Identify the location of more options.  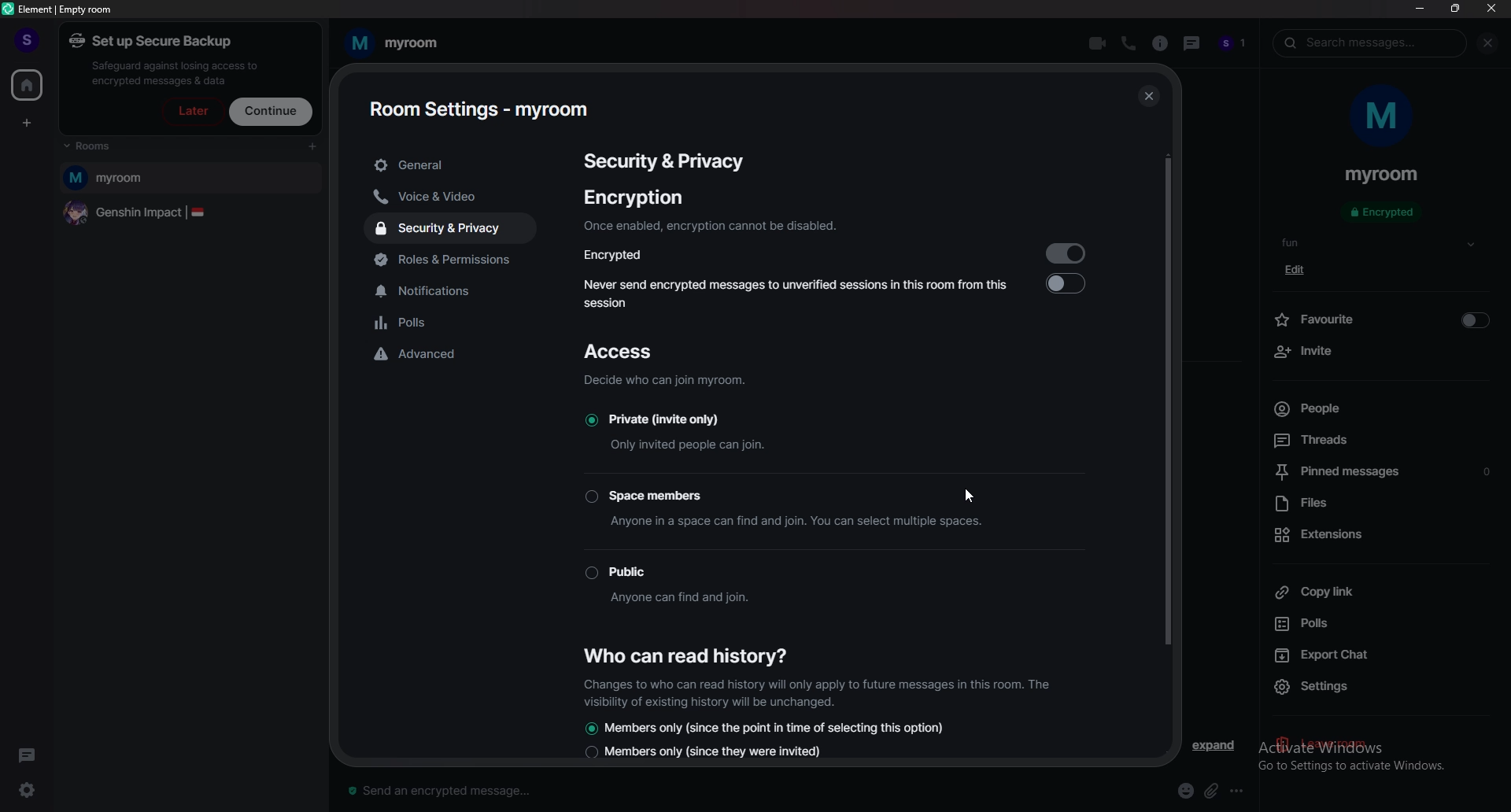
(1242, 790).